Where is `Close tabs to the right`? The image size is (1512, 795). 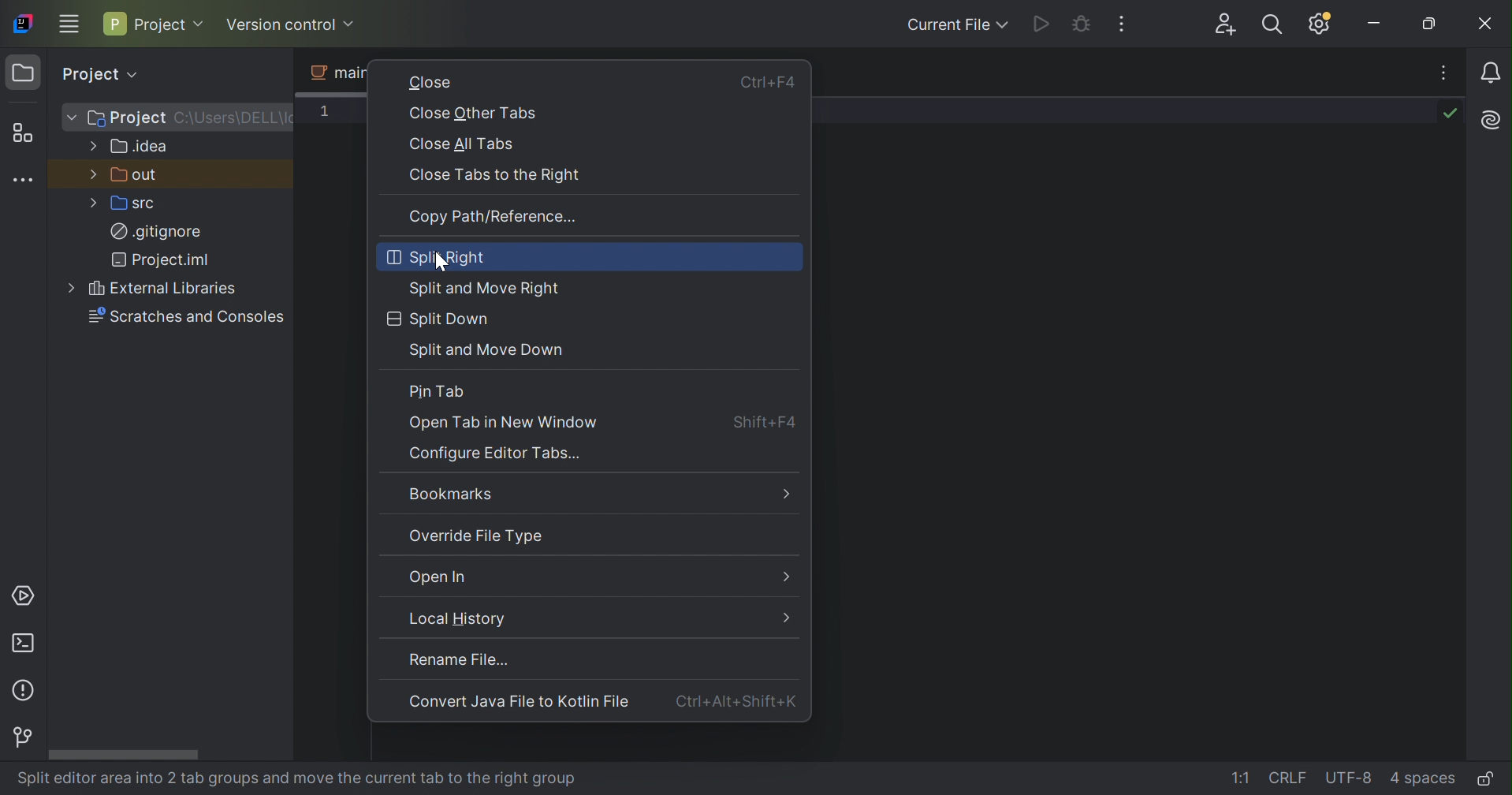 Close tabs to the right is located at coordinates (498, 177).